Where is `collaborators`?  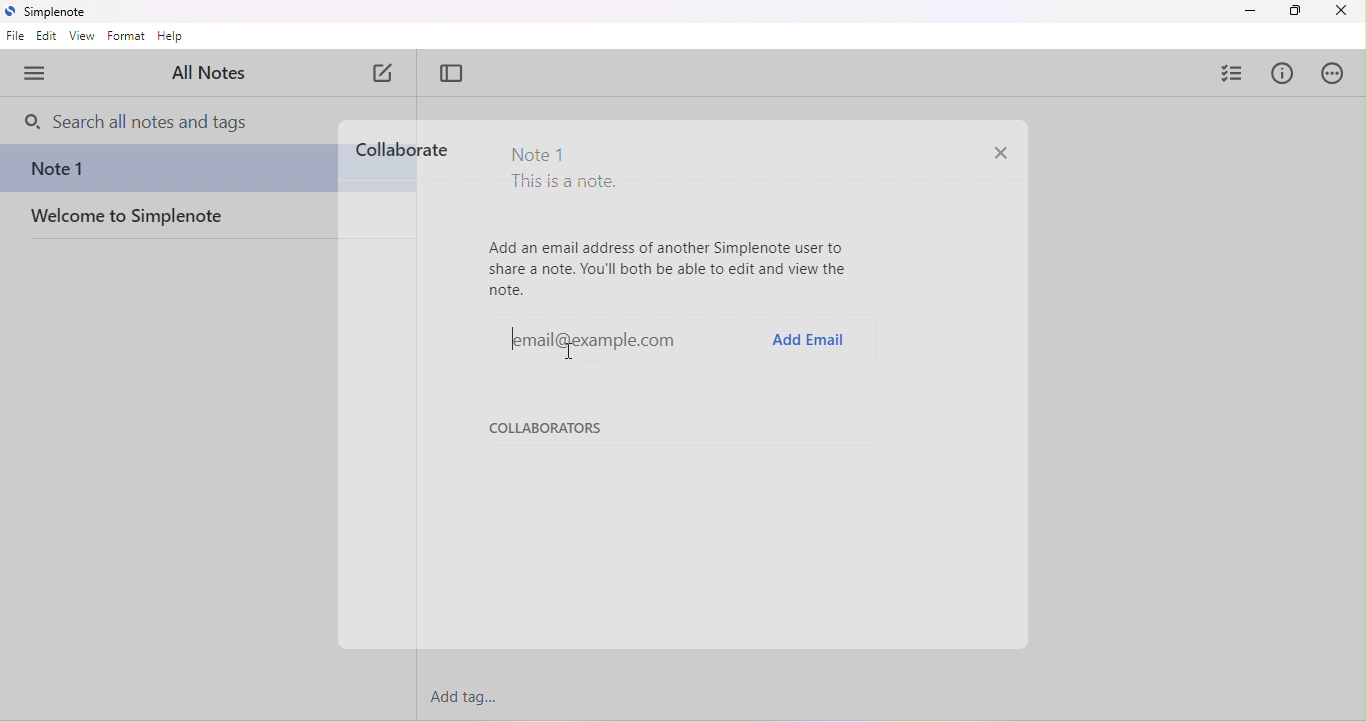 collaborators is located at coordinates (552, 431).